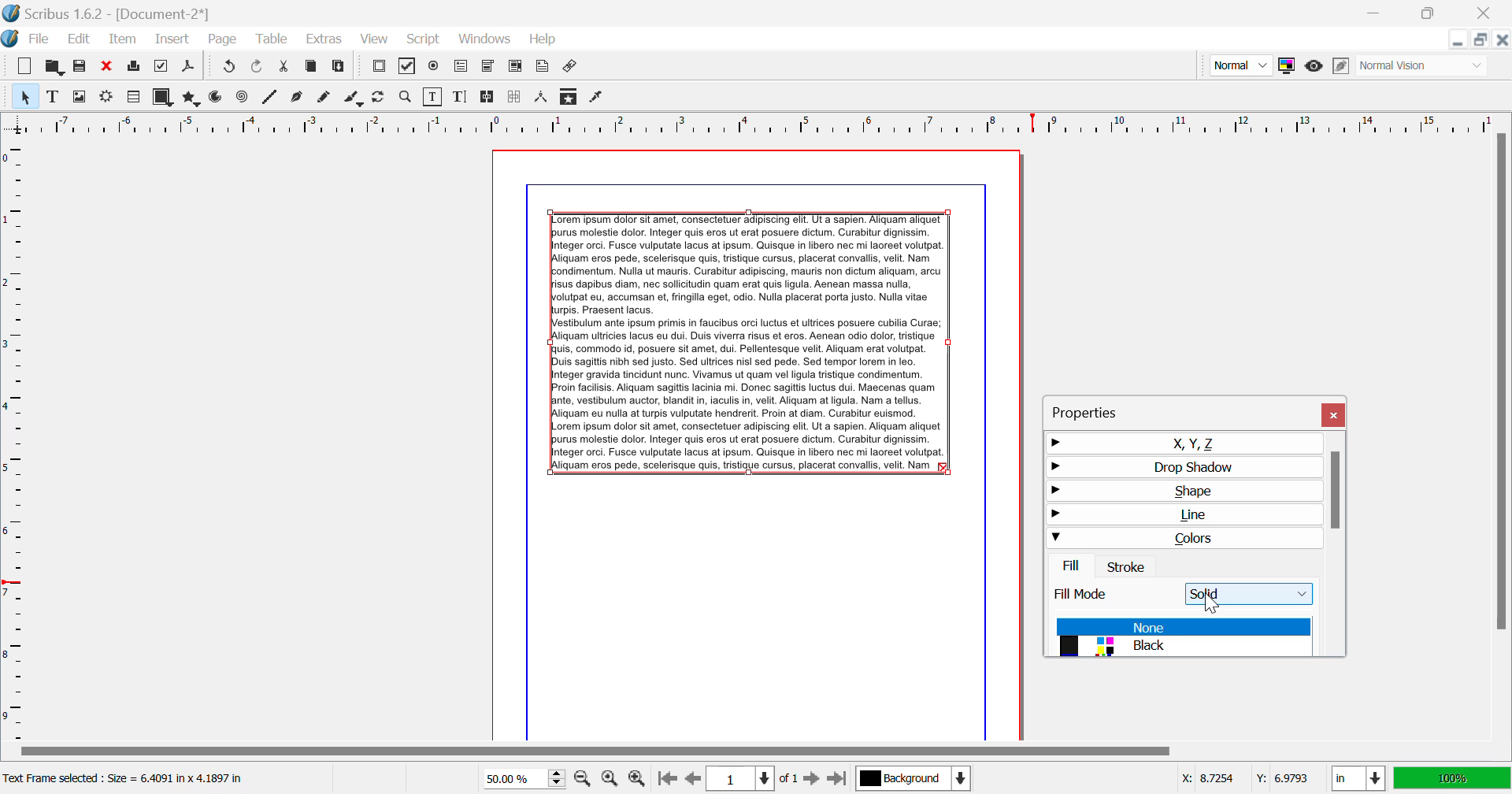 The image size is (1512, 794). Describe the element at coordinates (424, 38) in the screenshot. I see `Script` at that location.